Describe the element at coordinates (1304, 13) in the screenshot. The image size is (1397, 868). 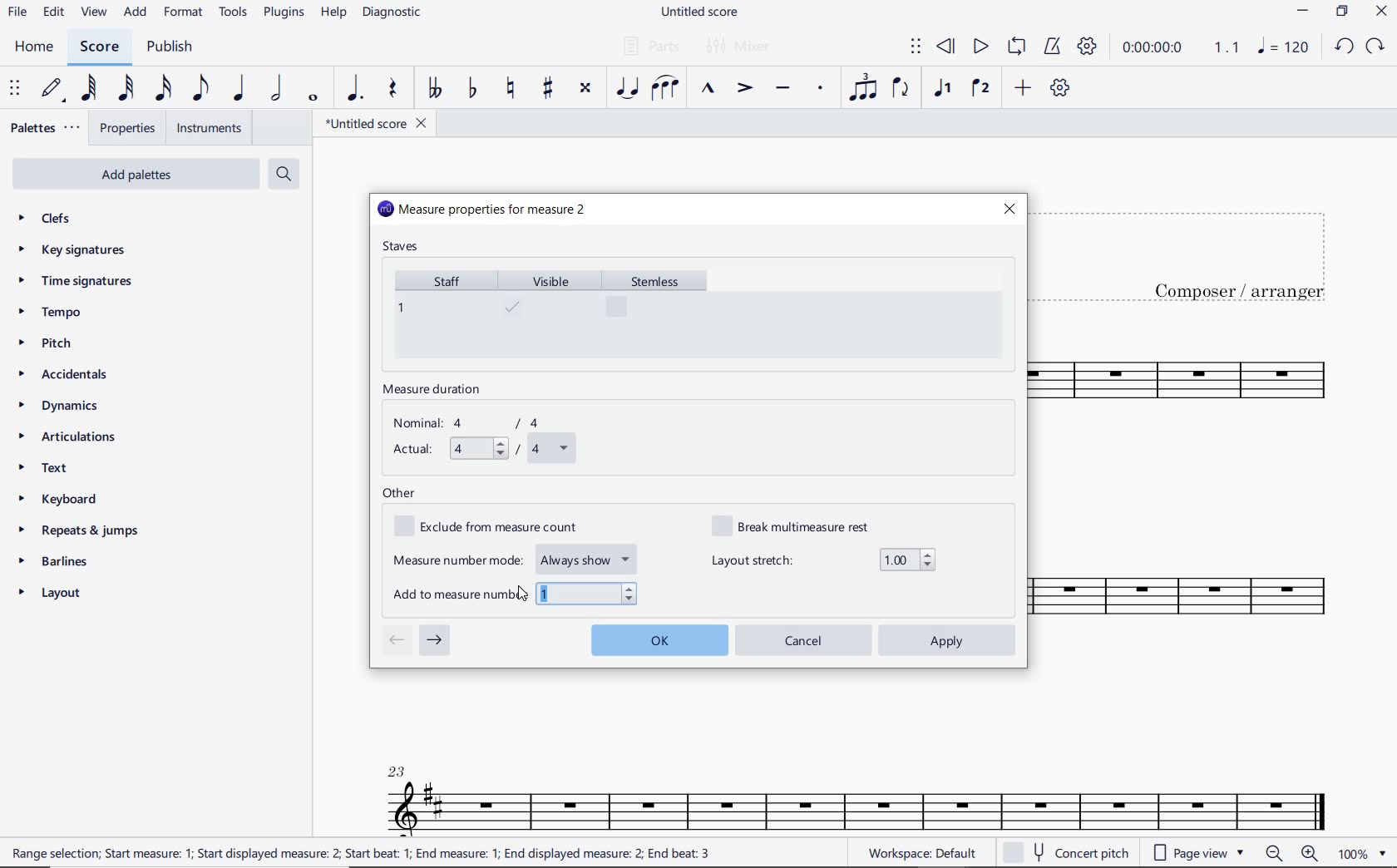
I see `MINIMIZE` at that location.